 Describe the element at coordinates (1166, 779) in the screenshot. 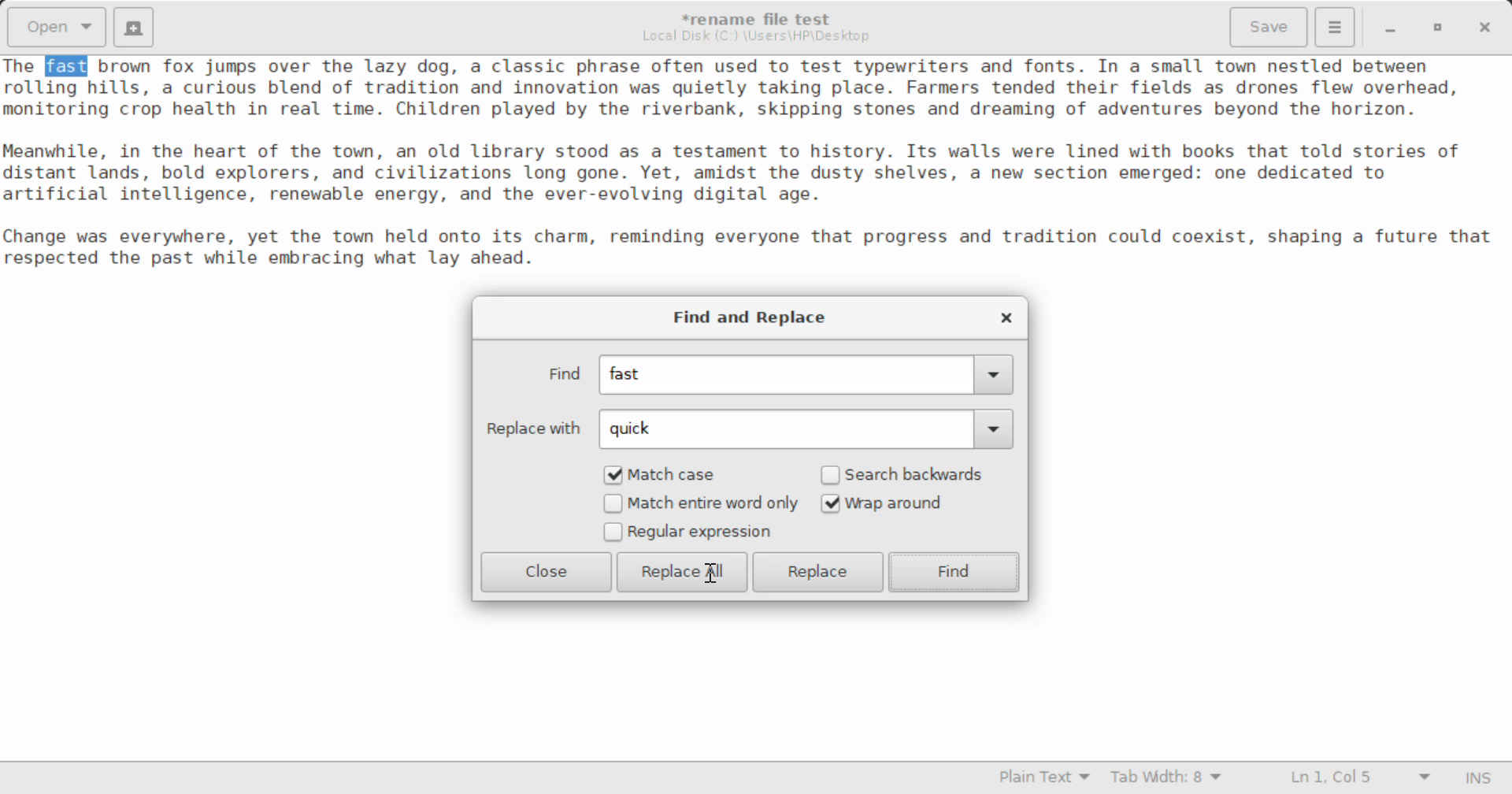

I see `Tab Width 8` at that location.